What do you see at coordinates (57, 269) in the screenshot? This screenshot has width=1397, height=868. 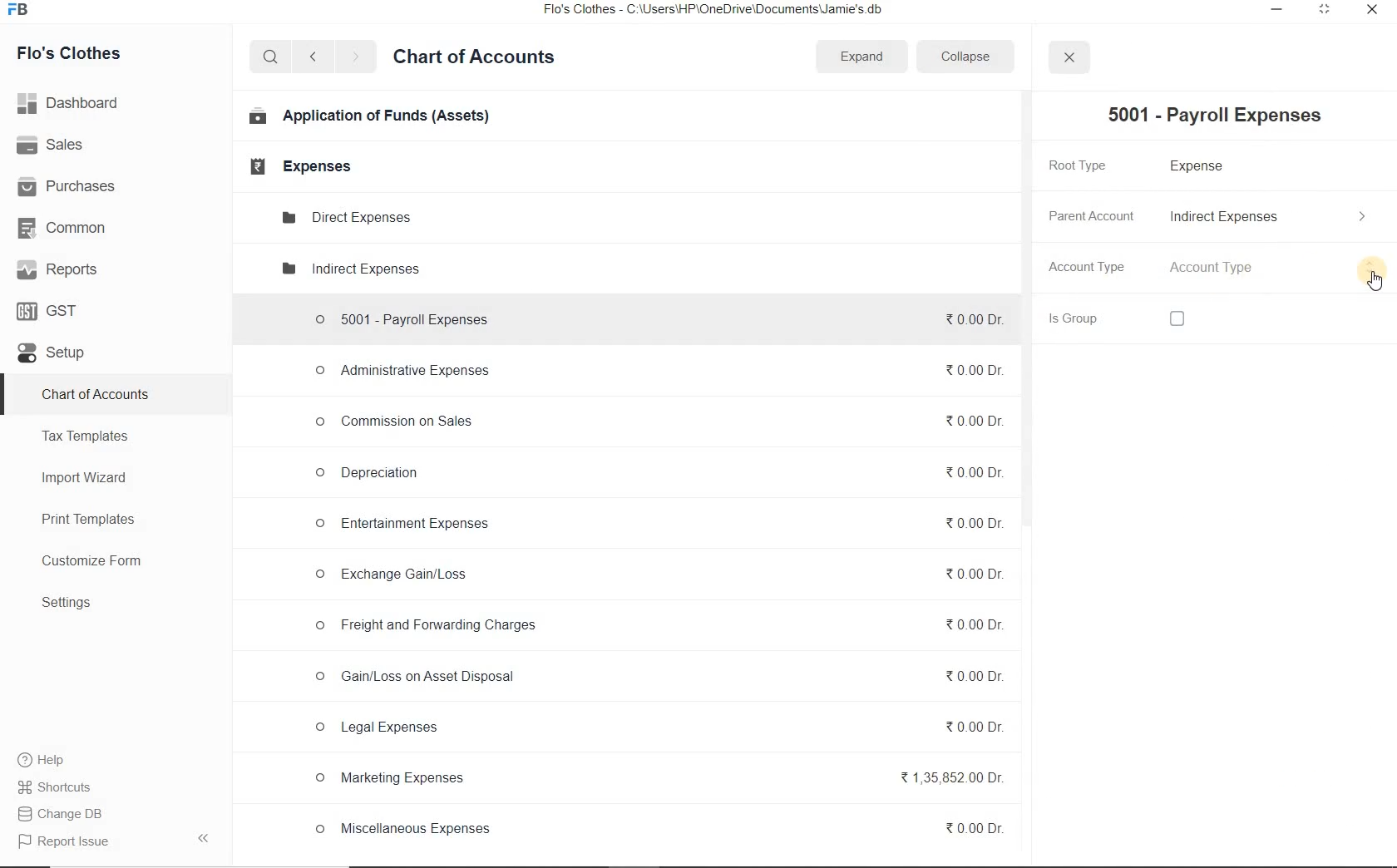 I see `Reports` at bounding box center [57, 269].